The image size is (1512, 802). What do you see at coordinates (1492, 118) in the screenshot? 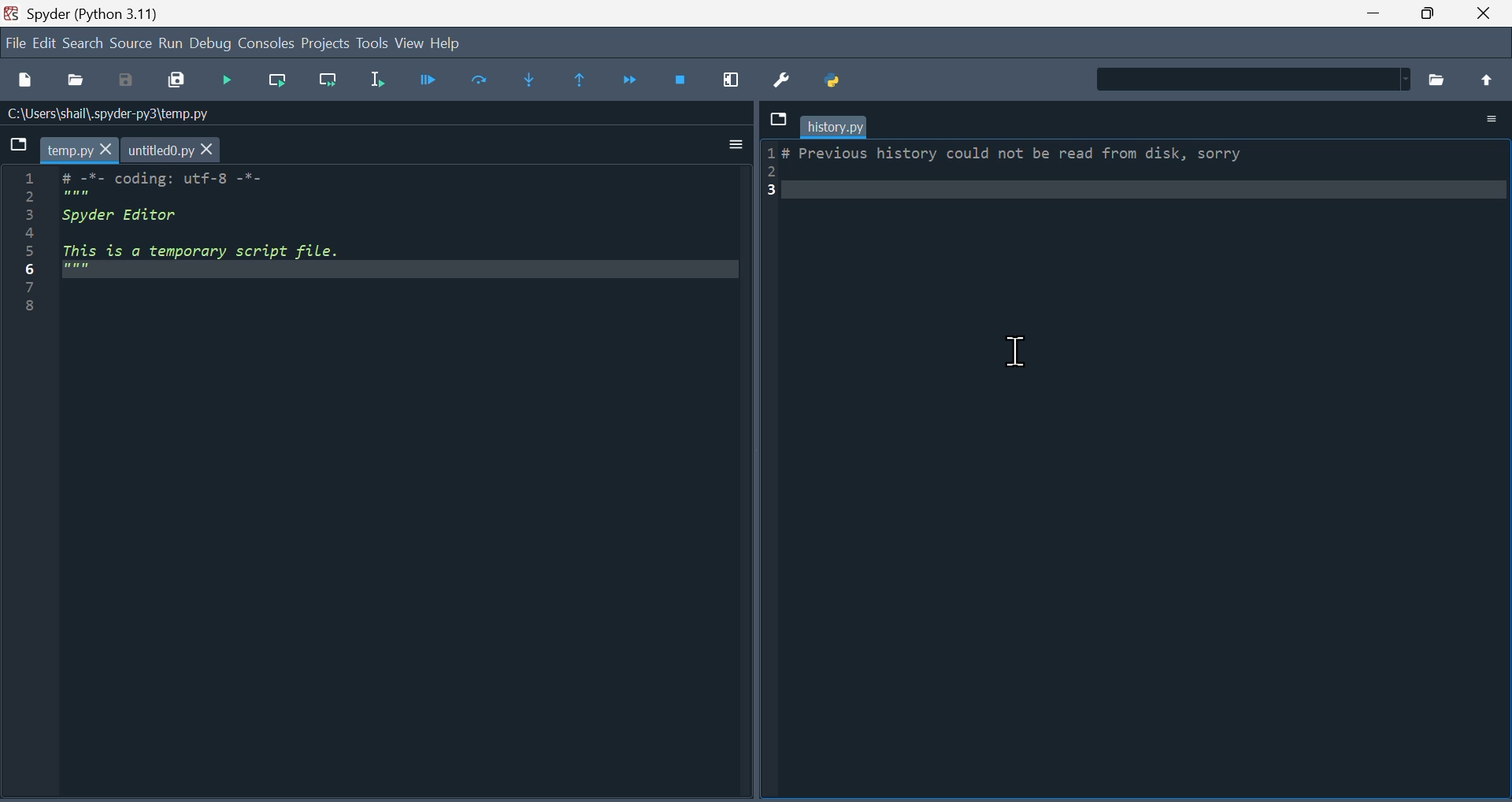
I see `Options` at bounding box center [1492, 118].